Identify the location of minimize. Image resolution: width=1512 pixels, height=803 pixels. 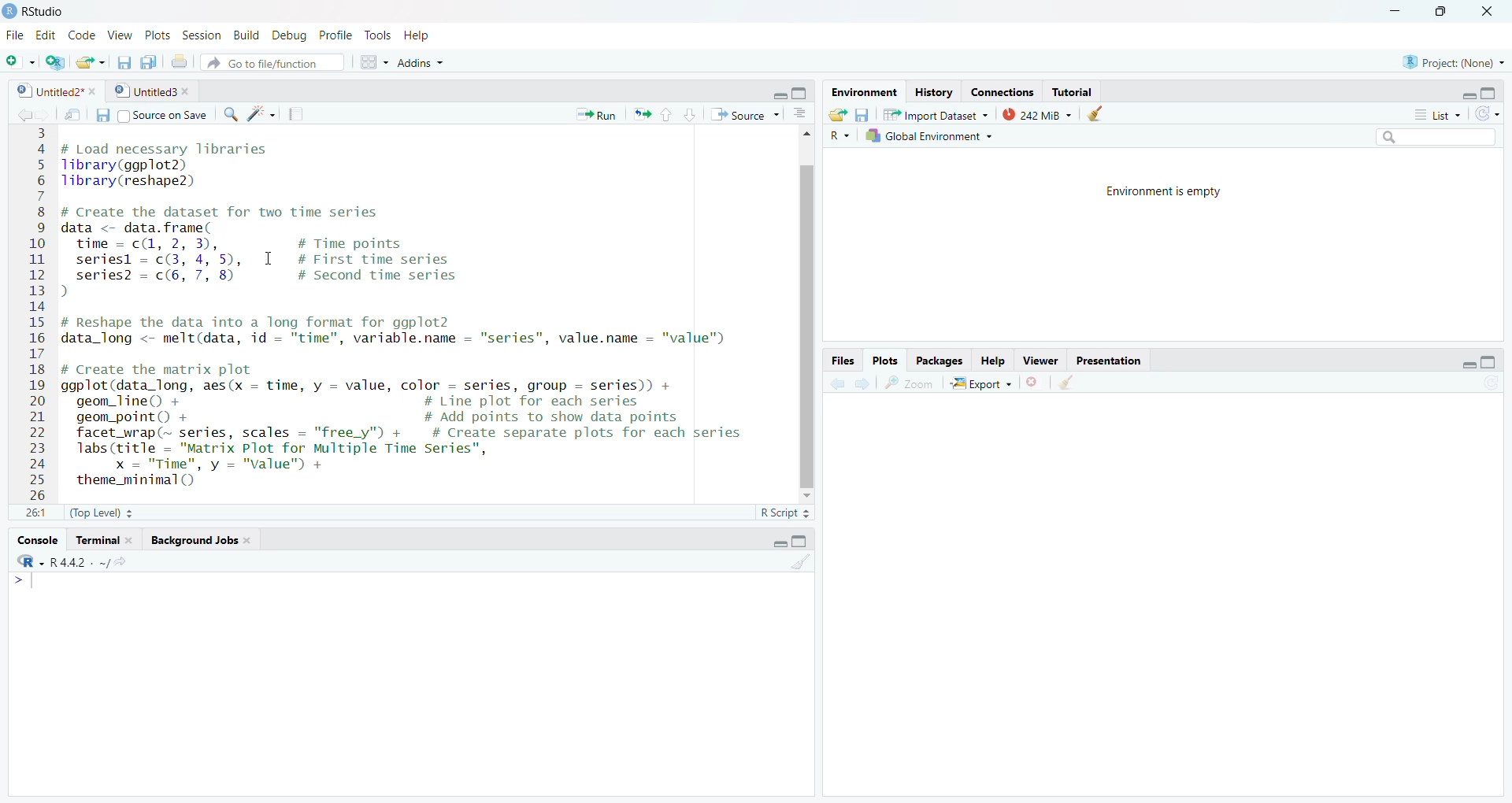
(777, 545).